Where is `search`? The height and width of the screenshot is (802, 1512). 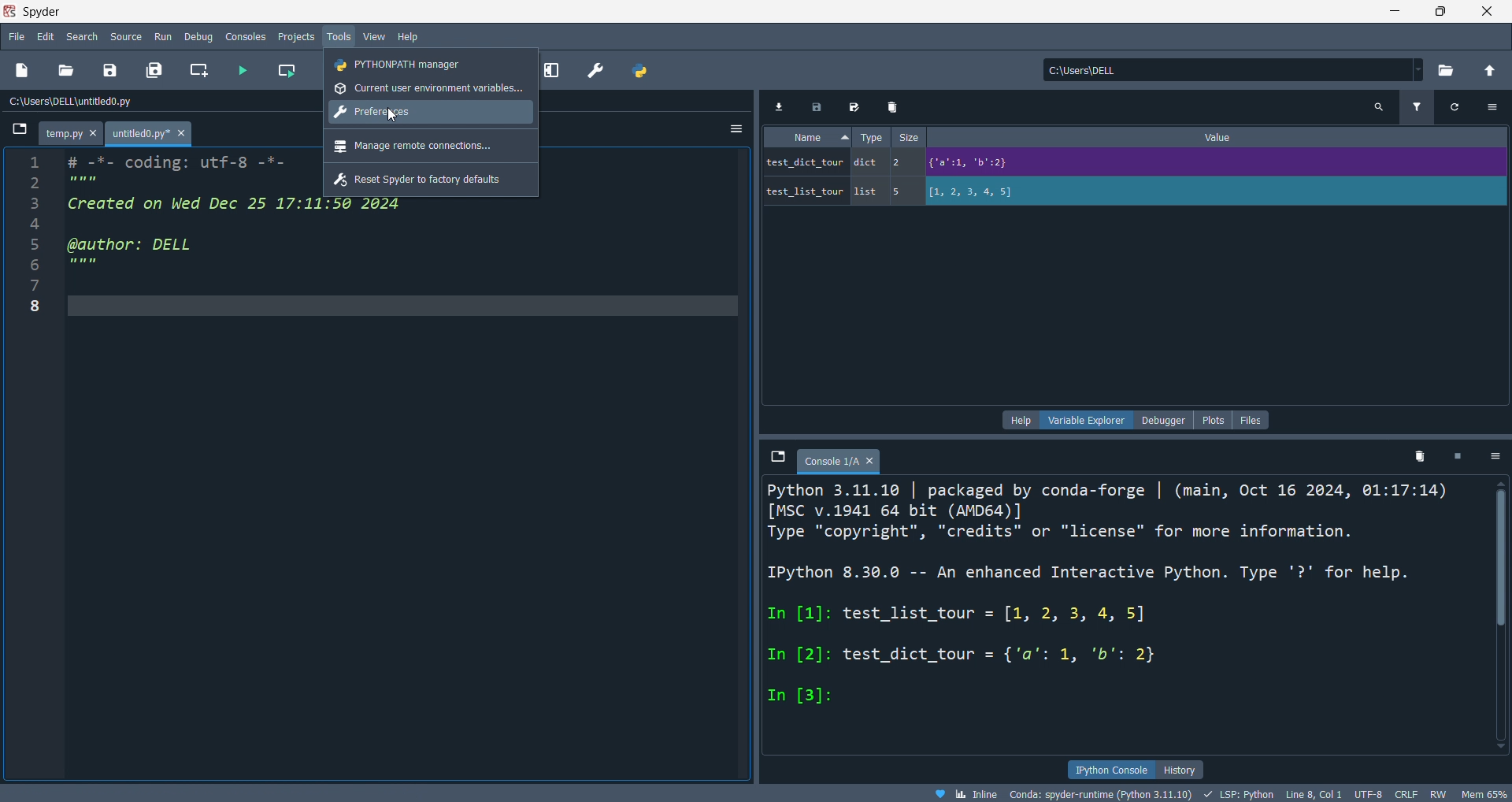
search is located at coordinates (83, 35).